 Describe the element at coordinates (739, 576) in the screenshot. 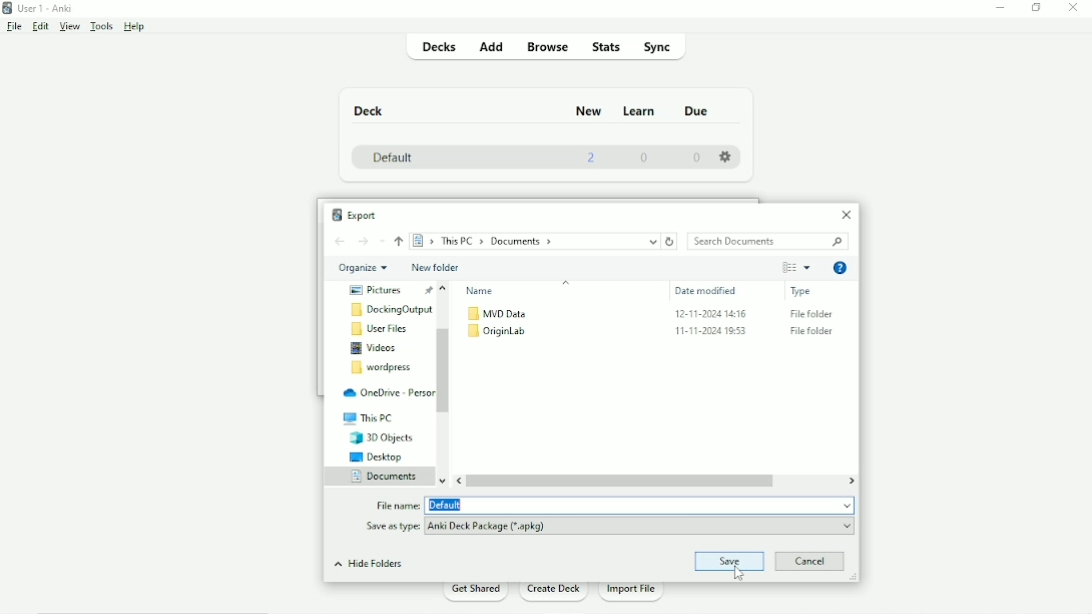

I see `cursor` at that location.